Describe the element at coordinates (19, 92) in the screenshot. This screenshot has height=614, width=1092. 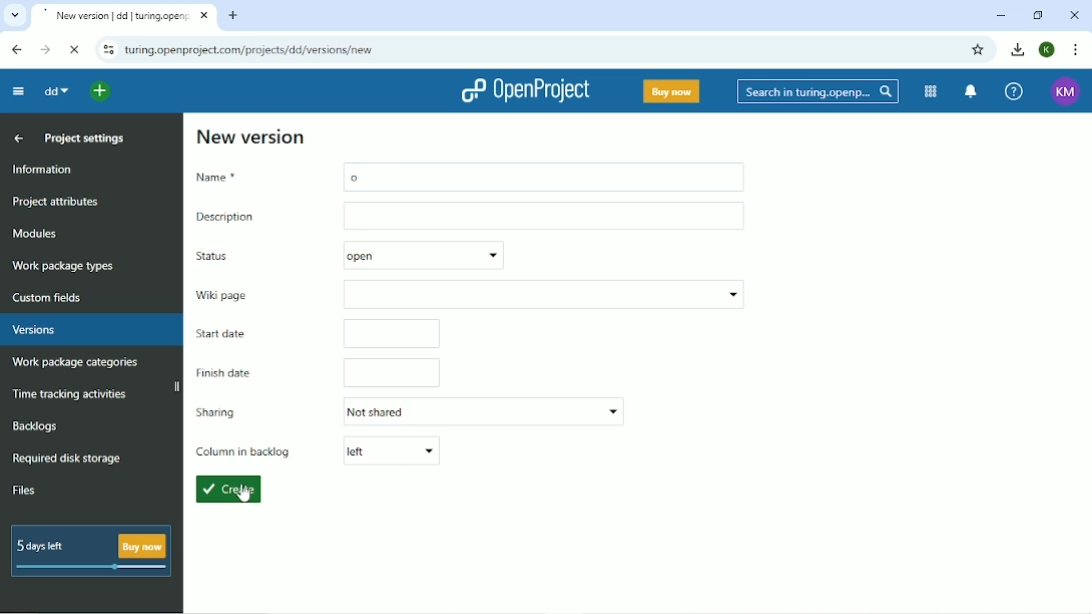
I see `Collapse project menu` at that location.